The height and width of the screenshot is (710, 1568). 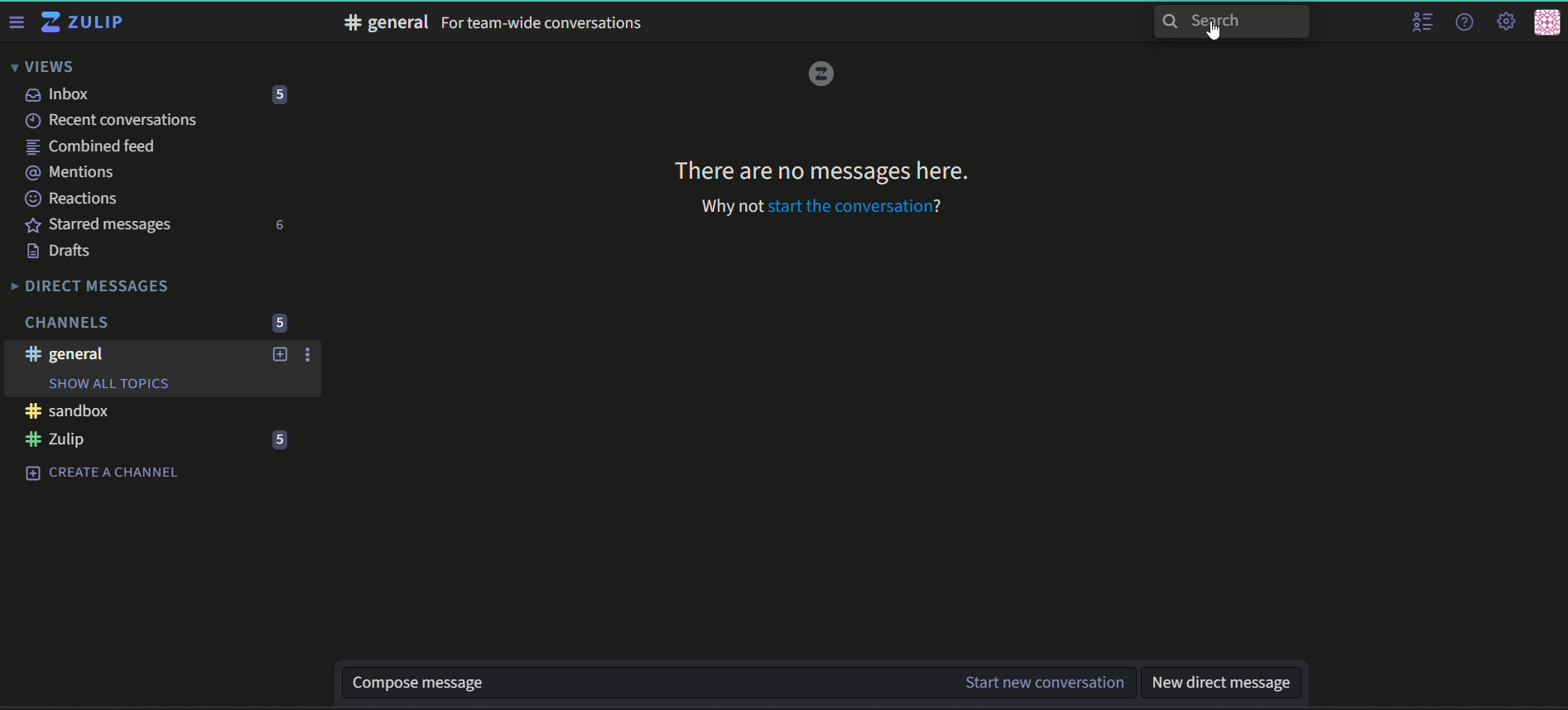 I want to click on Title and logo, so click(x=86, y=24).